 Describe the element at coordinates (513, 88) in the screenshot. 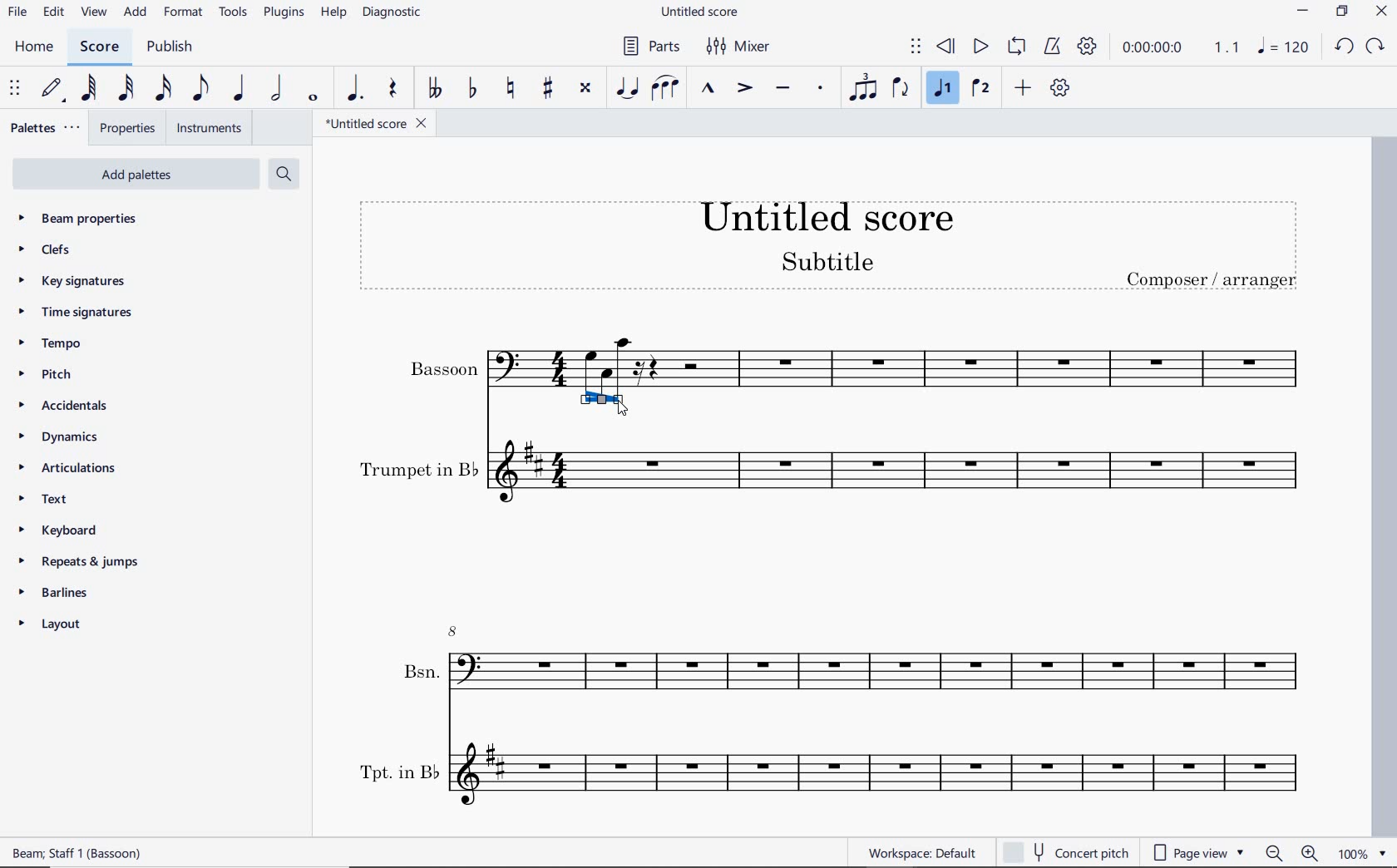

I see `toggle natural` at that location.